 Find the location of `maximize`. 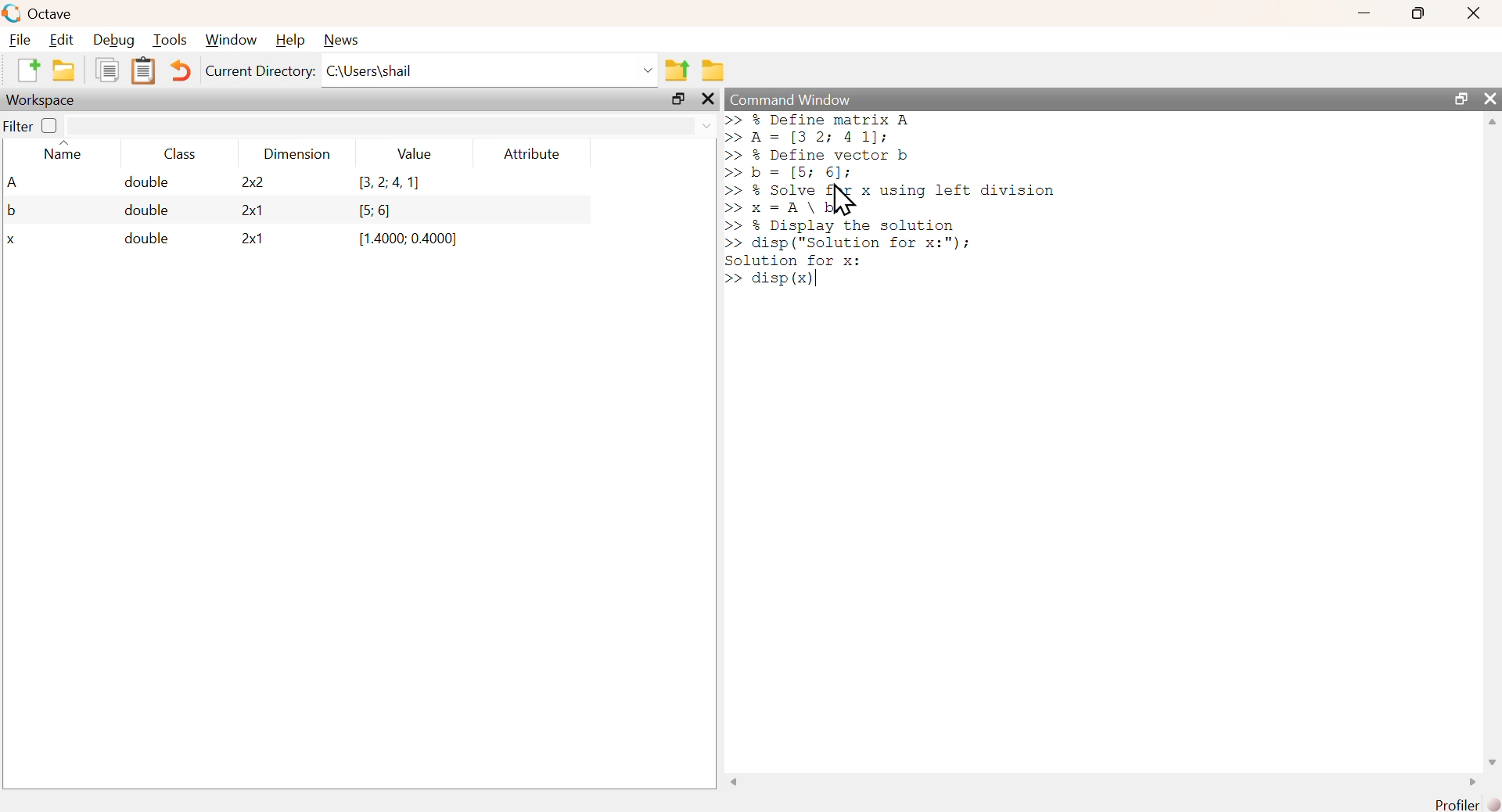

maximize is located at coordinates (1459, 99).